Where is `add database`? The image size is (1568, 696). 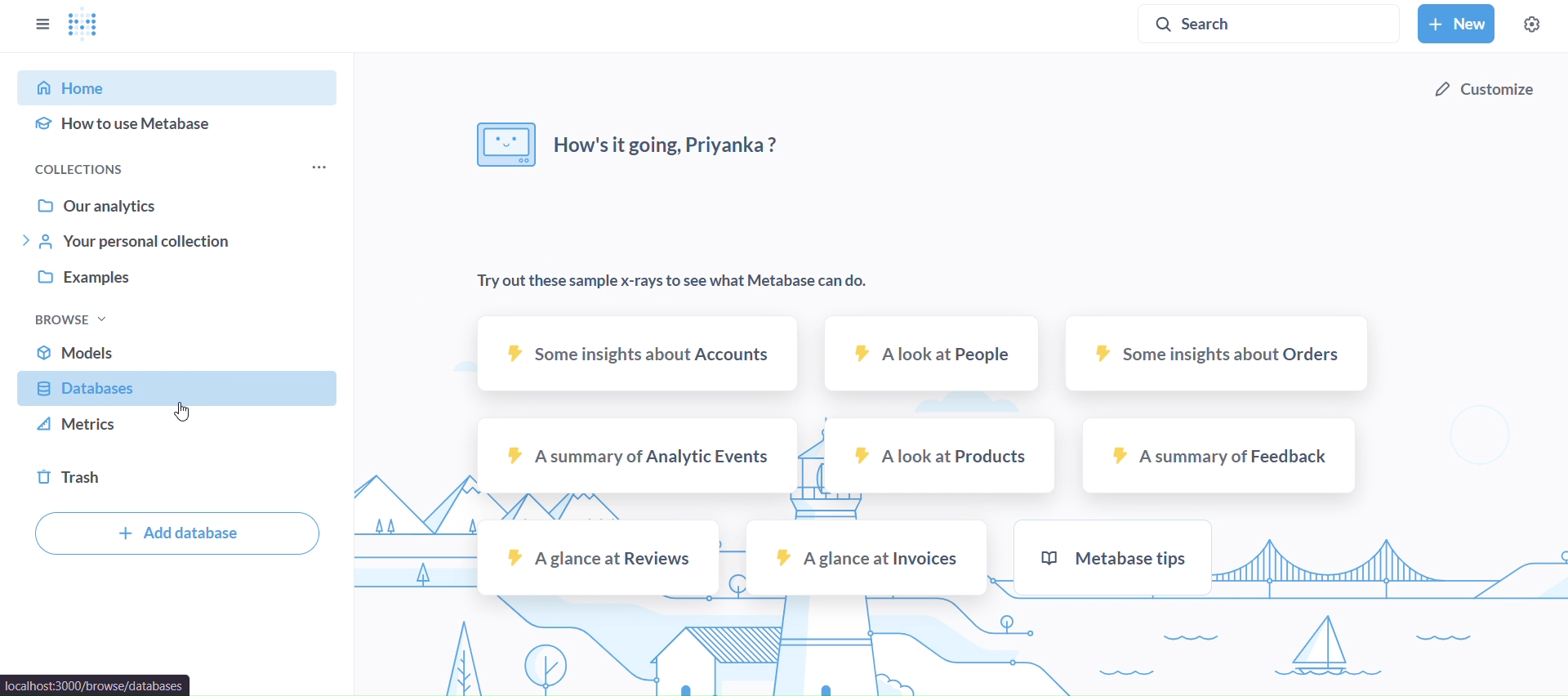
add database is located at coordinates (175, 534).